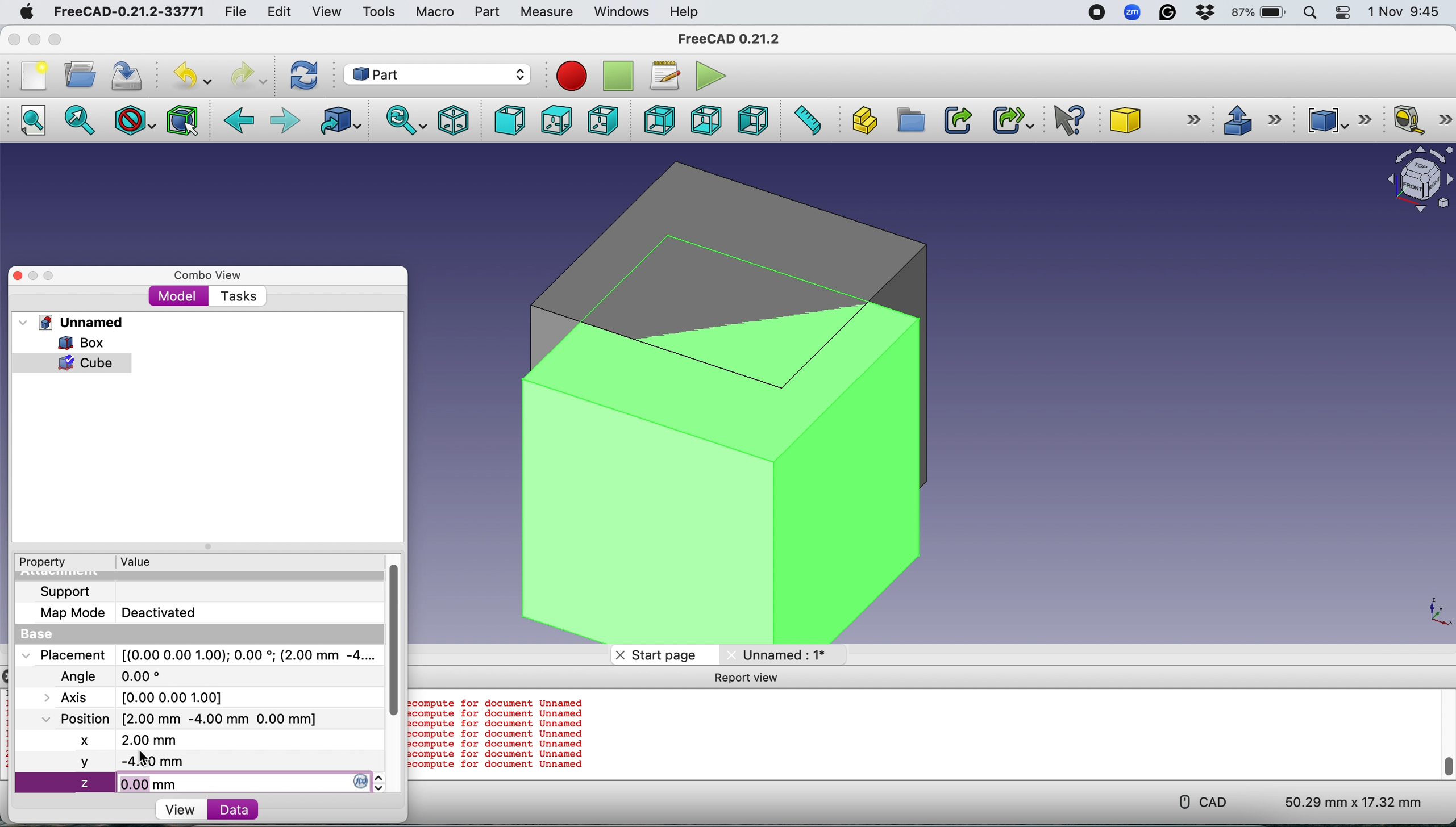  What do you see at coordinates (177, 809) in the screenshot?
I see `View` at bounding box center [177, 809].